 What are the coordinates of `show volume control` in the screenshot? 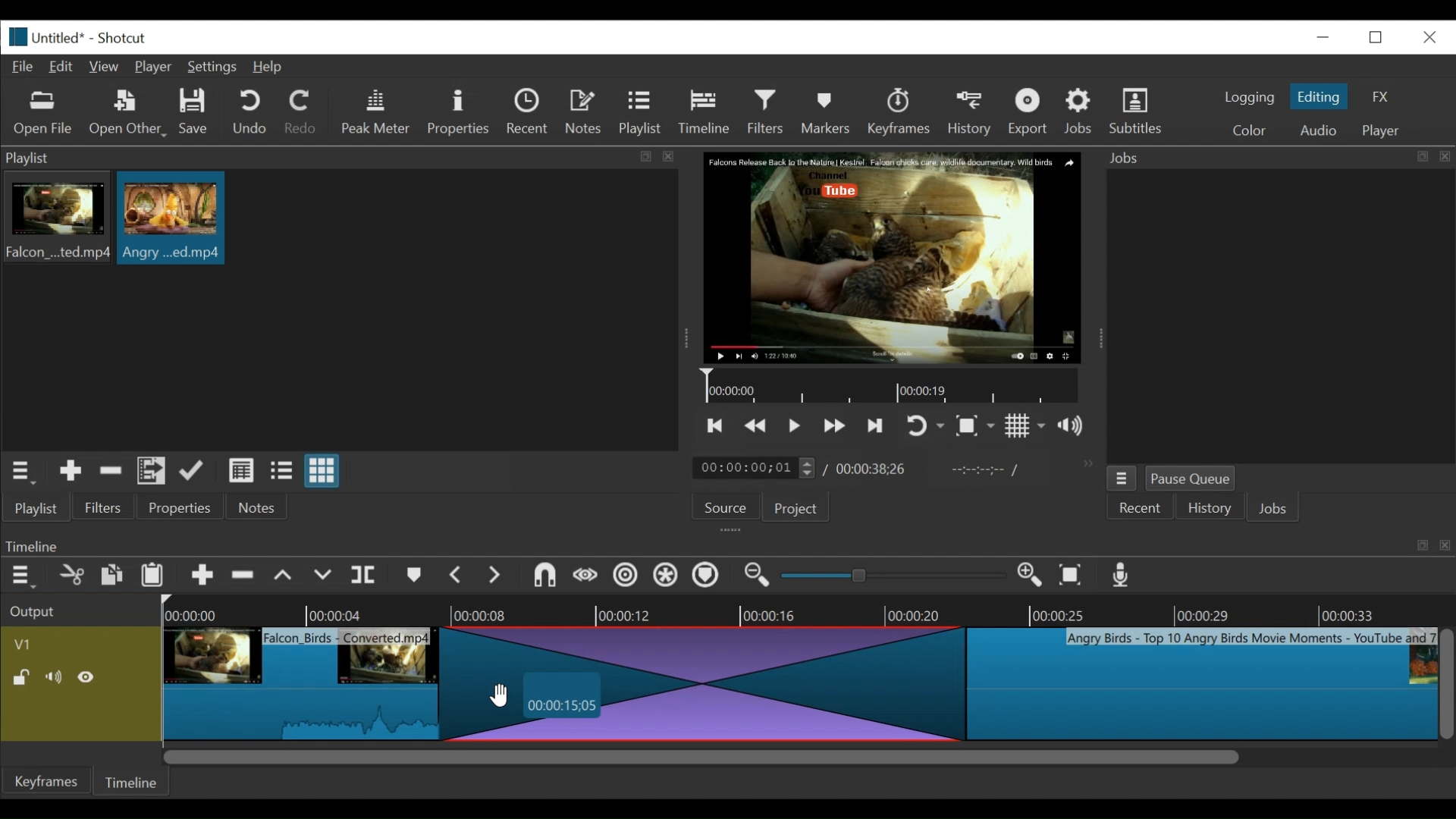 It's located at (1077, 427).